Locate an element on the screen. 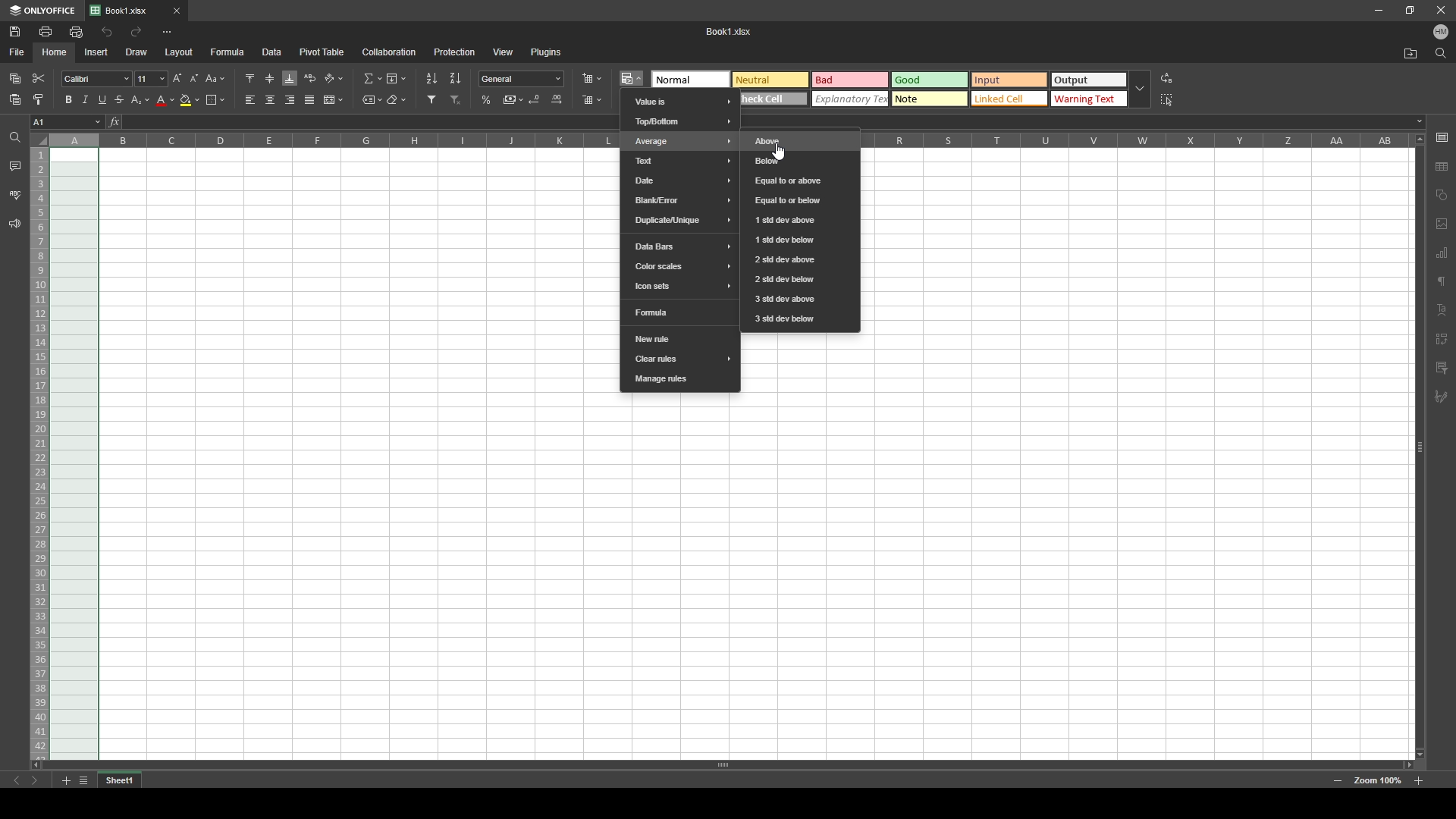 This screenshot has width=1456, height=819. above is located at coordinates (802, 140).